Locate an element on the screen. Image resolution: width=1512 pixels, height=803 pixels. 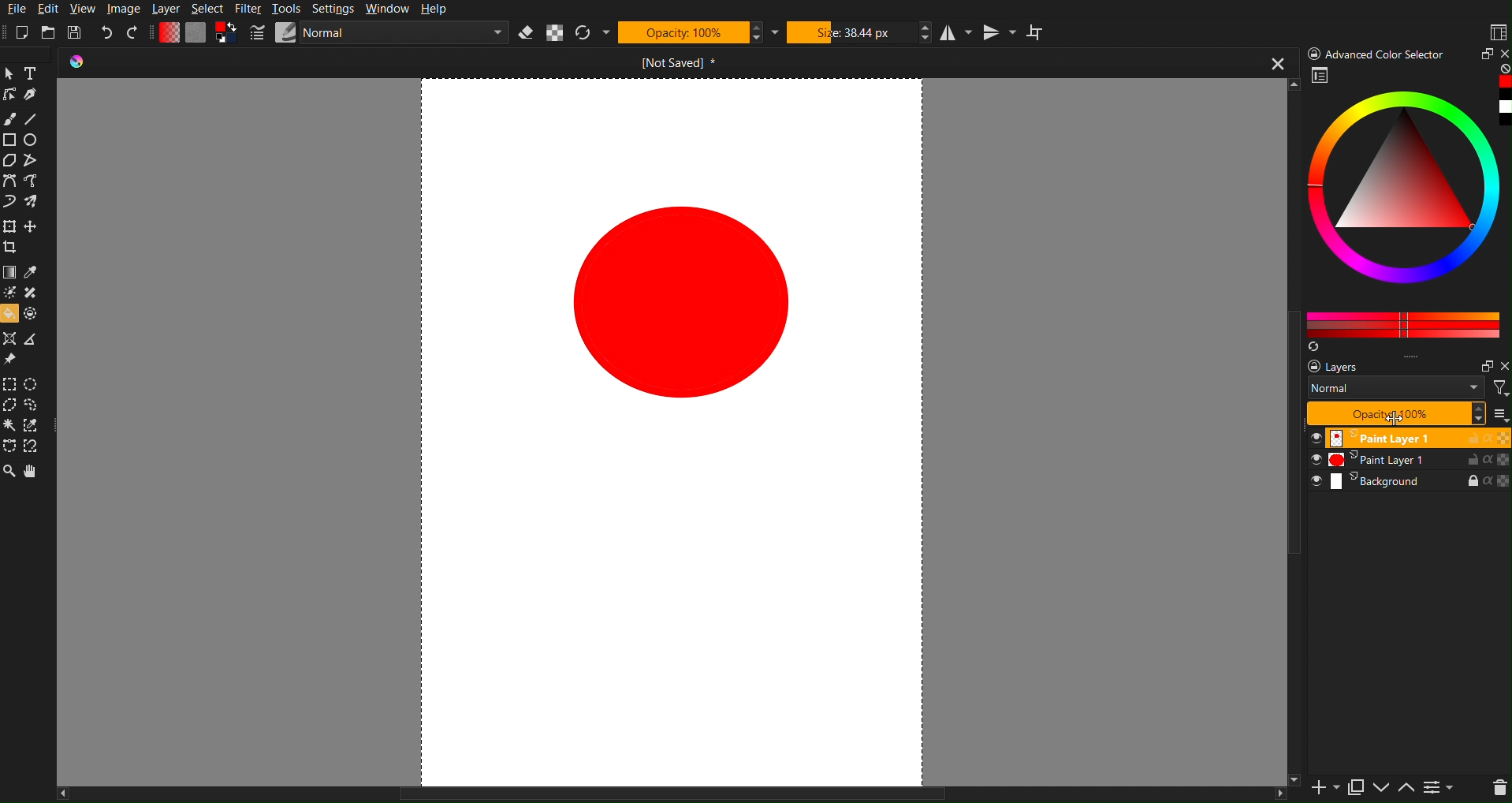
Magnetic Curve is located at coordinates (33, 447).